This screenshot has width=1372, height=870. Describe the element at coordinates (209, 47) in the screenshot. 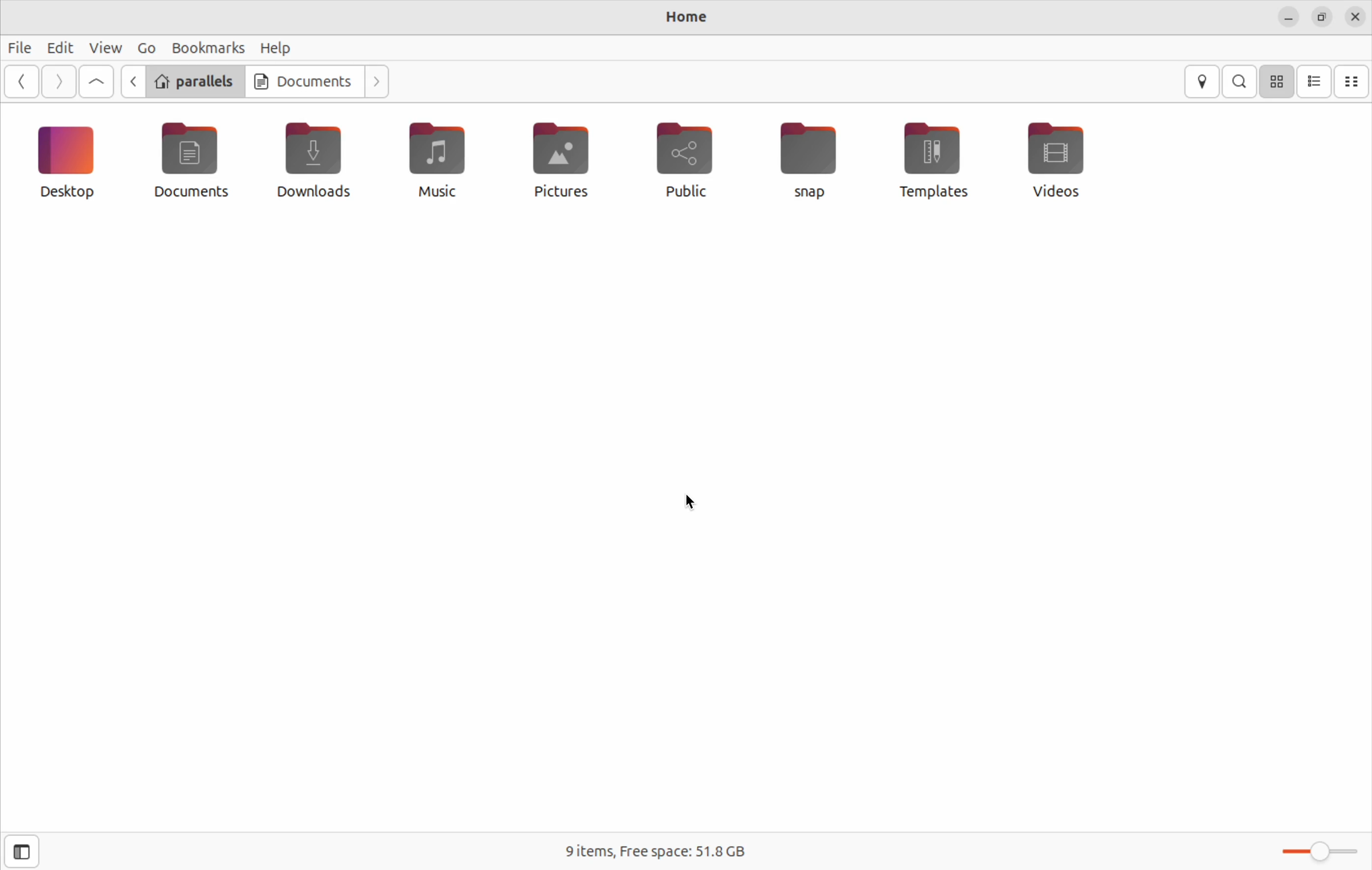

I see `Bookmark` at that location.